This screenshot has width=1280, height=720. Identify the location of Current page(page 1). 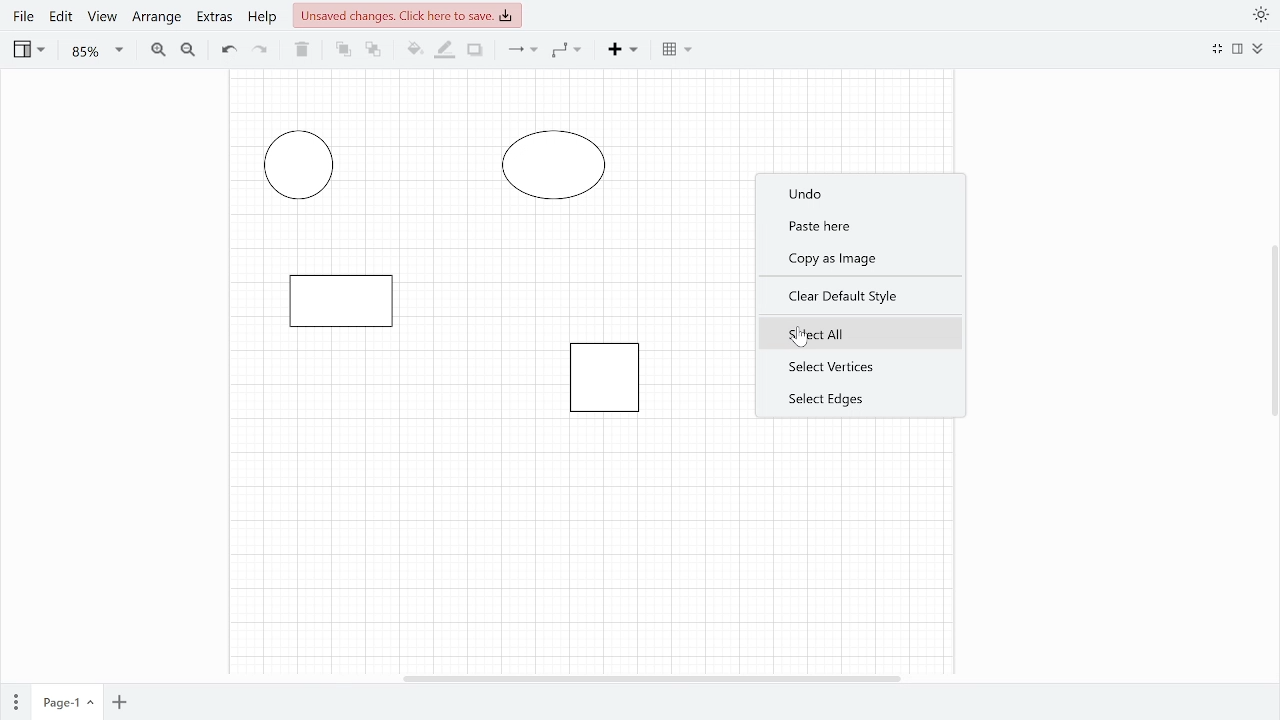
(66, 698).